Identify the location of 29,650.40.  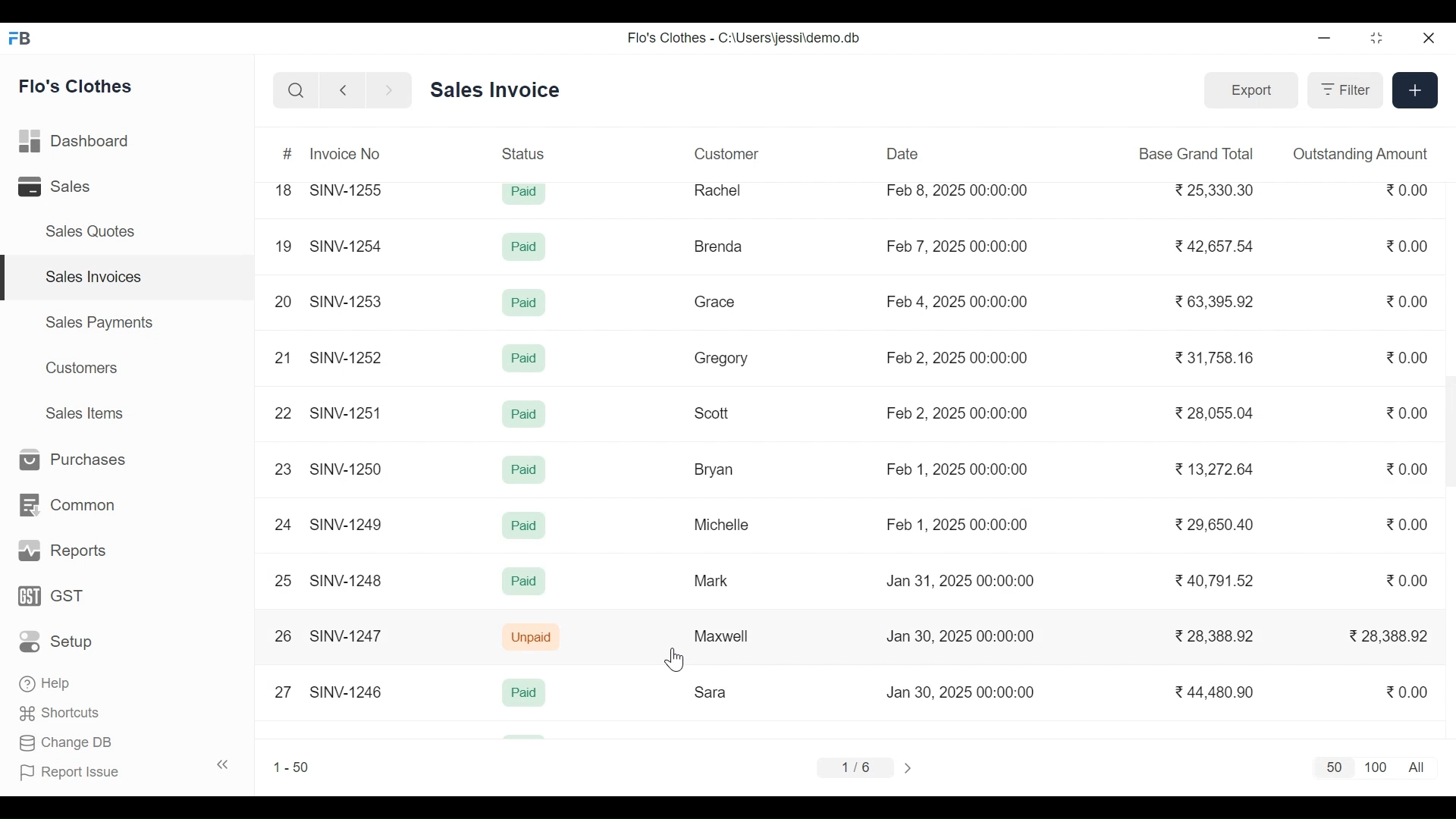
(1213, 524).